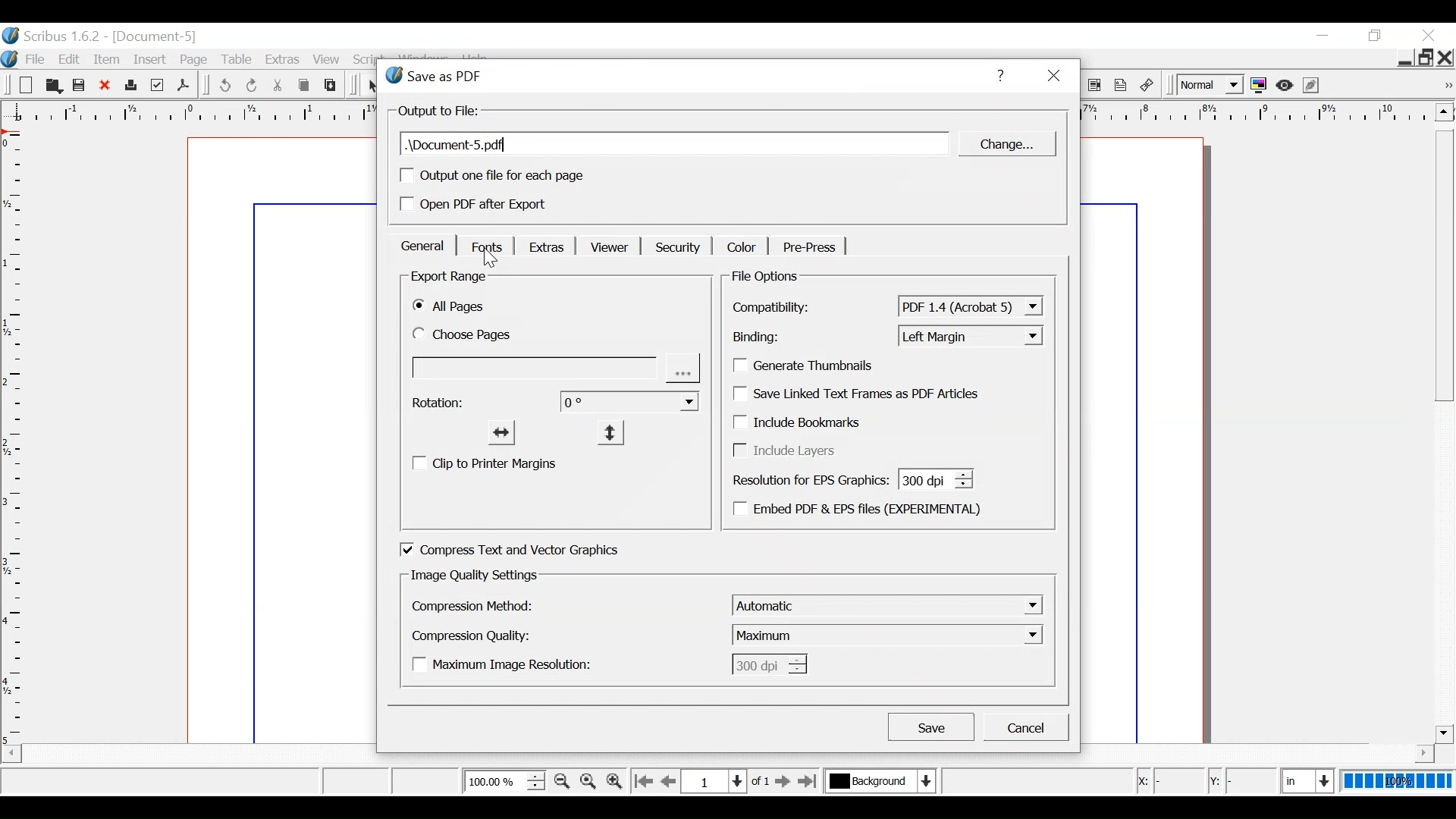  I want to click on Zoom out, so click(562, 781).